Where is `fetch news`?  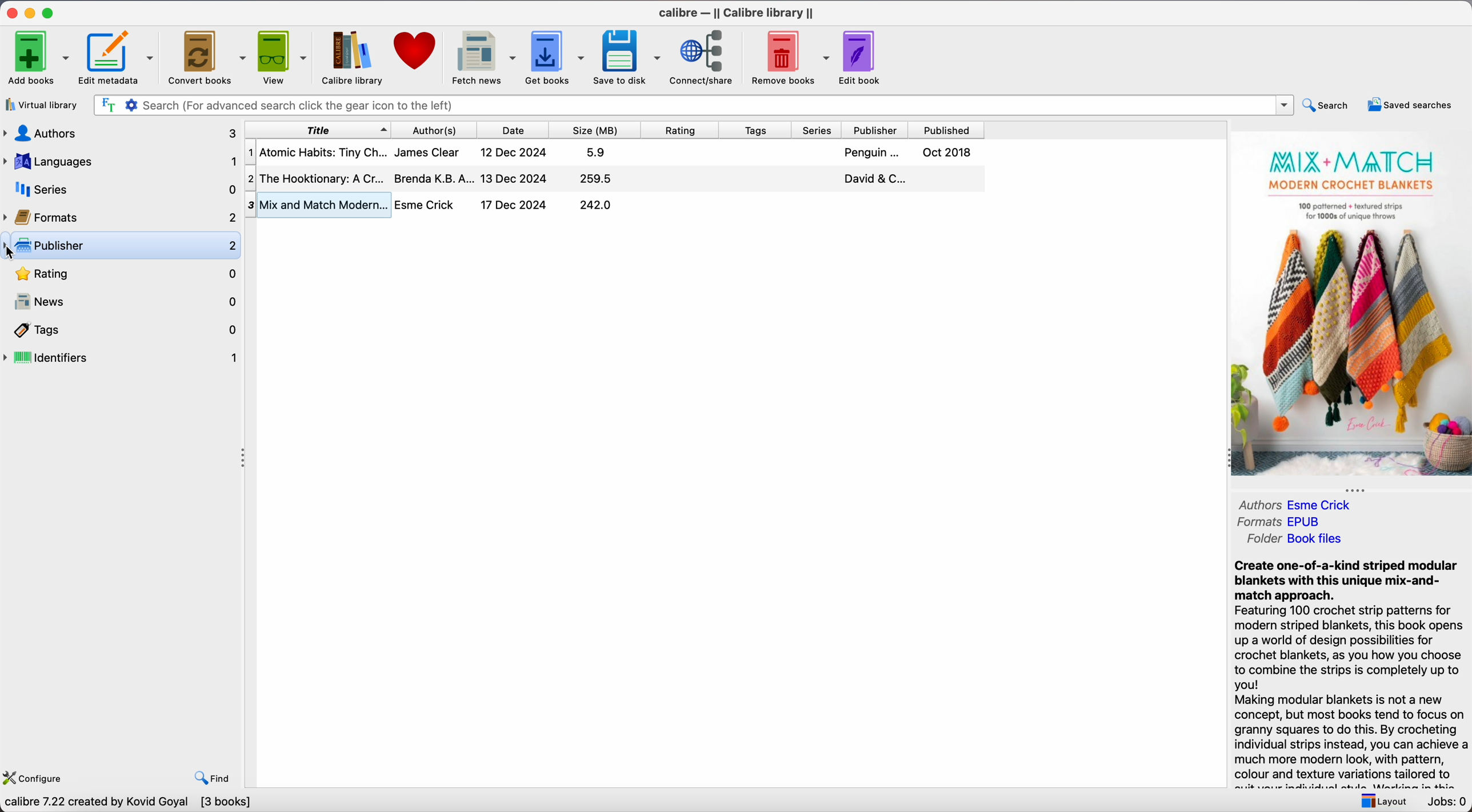 fetch news is located at coordinates (483, 58).